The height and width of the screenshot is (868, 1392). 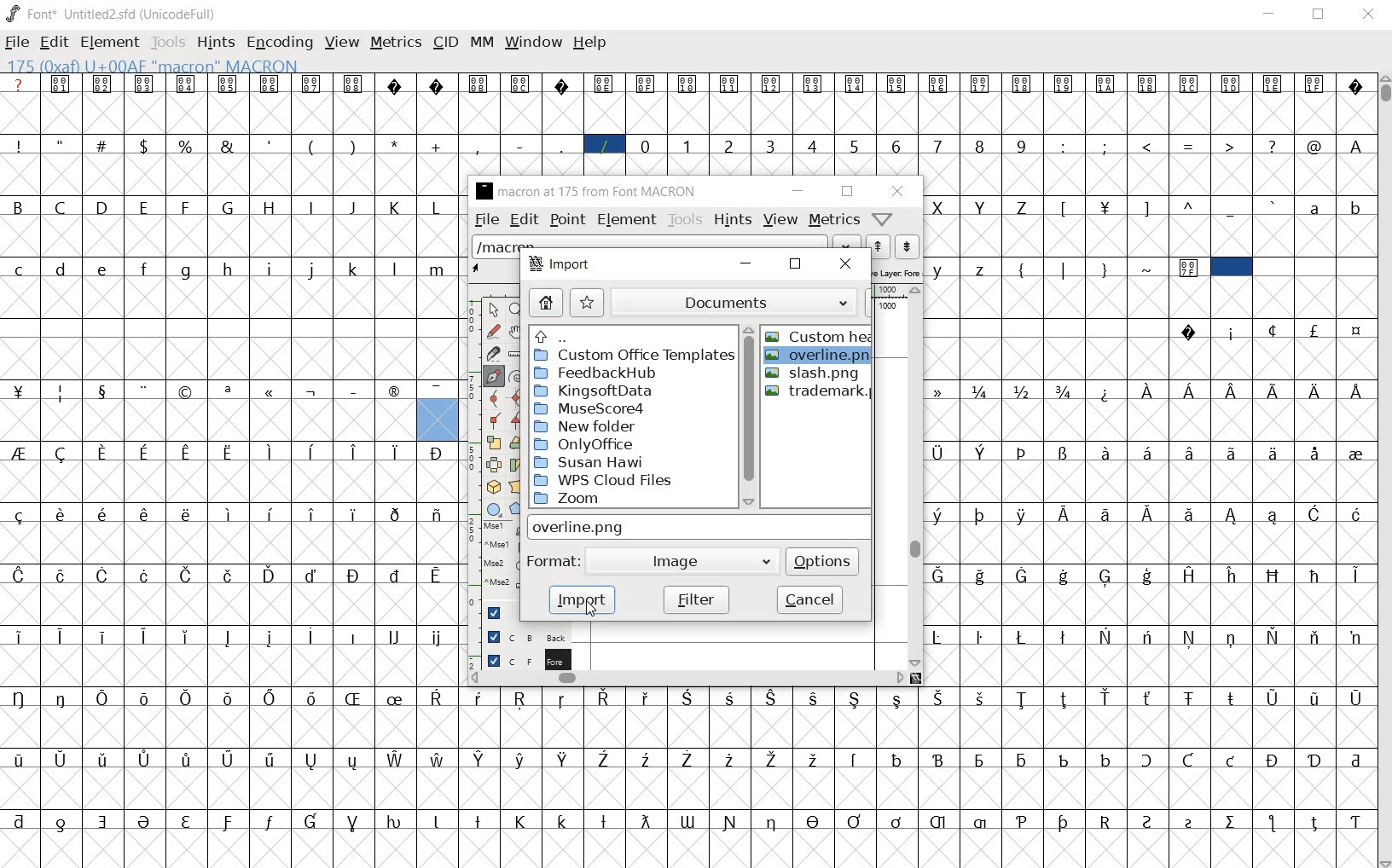 I want to click on Symbol, so click(x=1023, y=391).